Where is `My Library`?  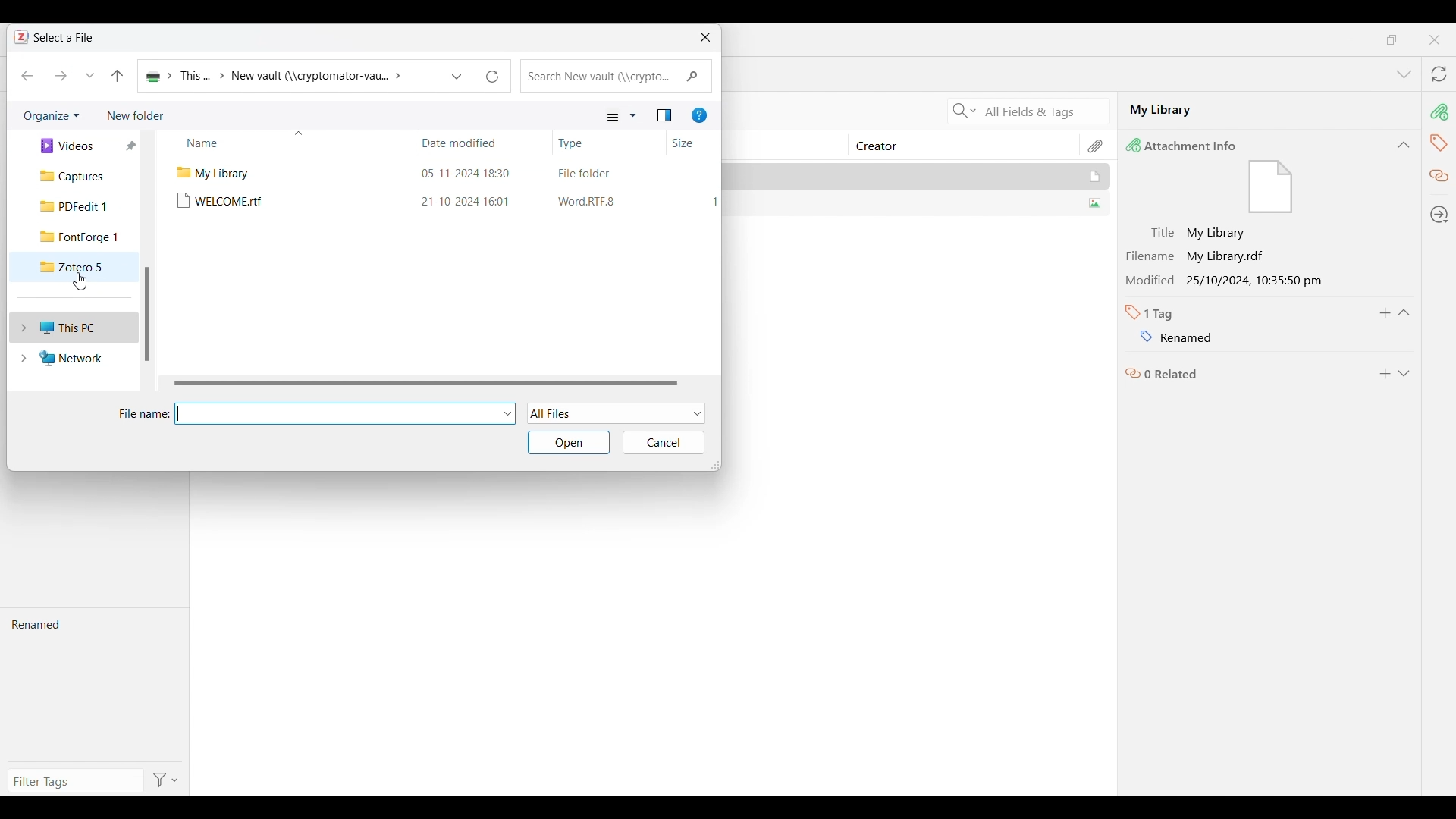 My Library is located at coordinates (1266, 112).